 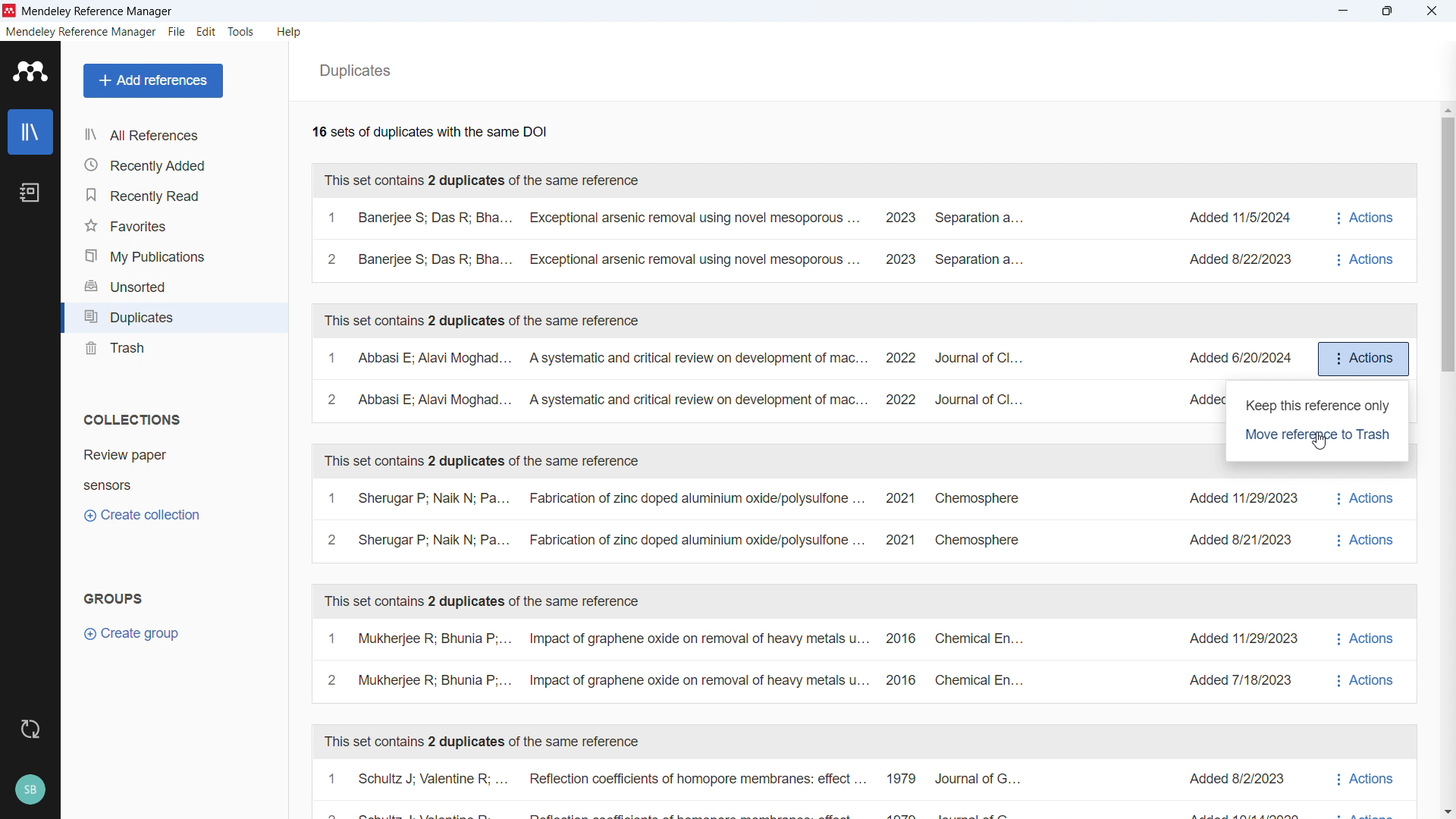 I want to click on A set of duplicates , so click(x=816, y=241).